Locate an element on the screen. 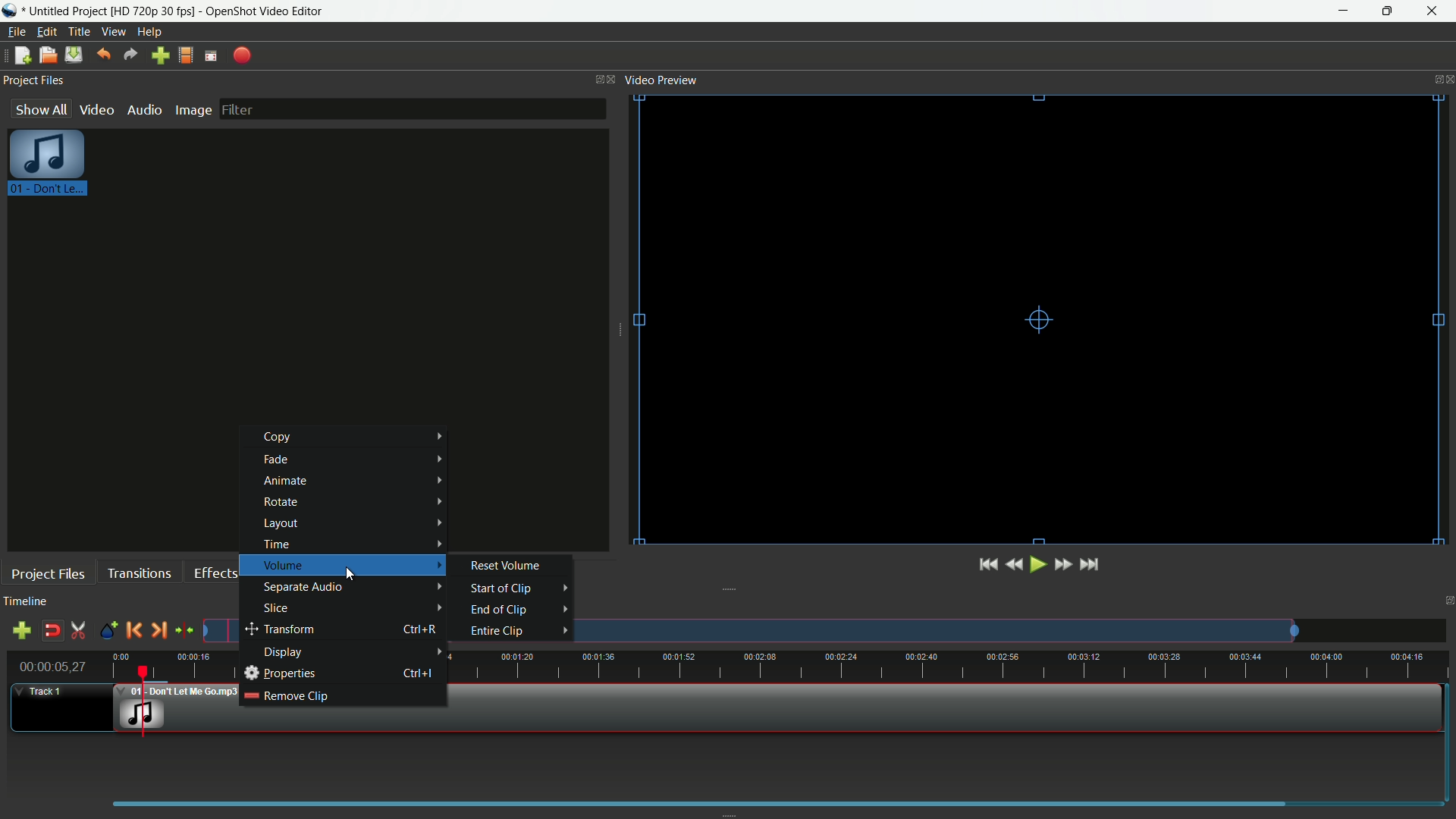  jump to end is located at coordinates (1091, 564).